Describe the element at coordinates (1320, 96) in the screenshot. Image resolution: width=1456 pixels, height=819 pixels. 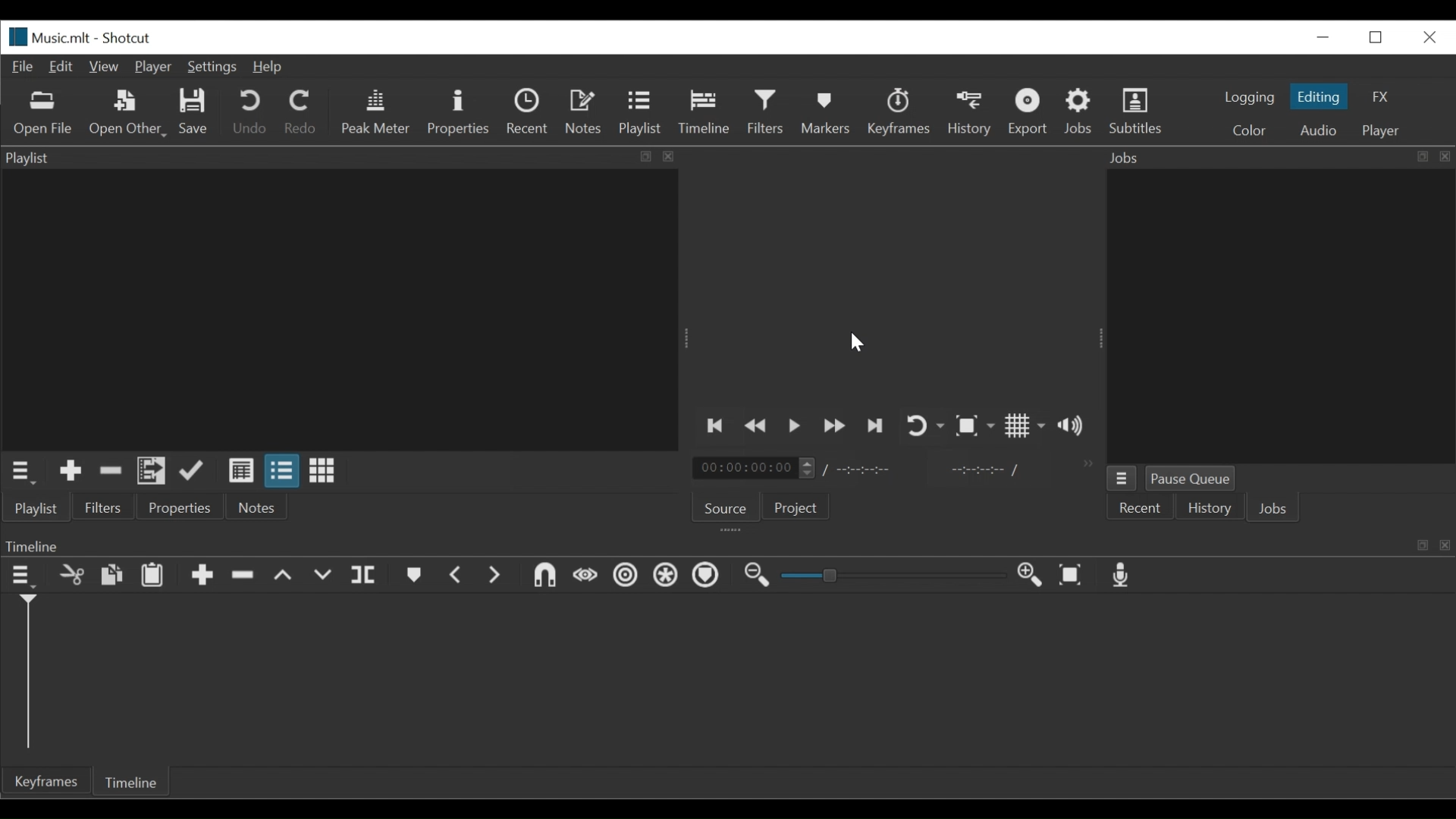
I see `Editing` at that location.